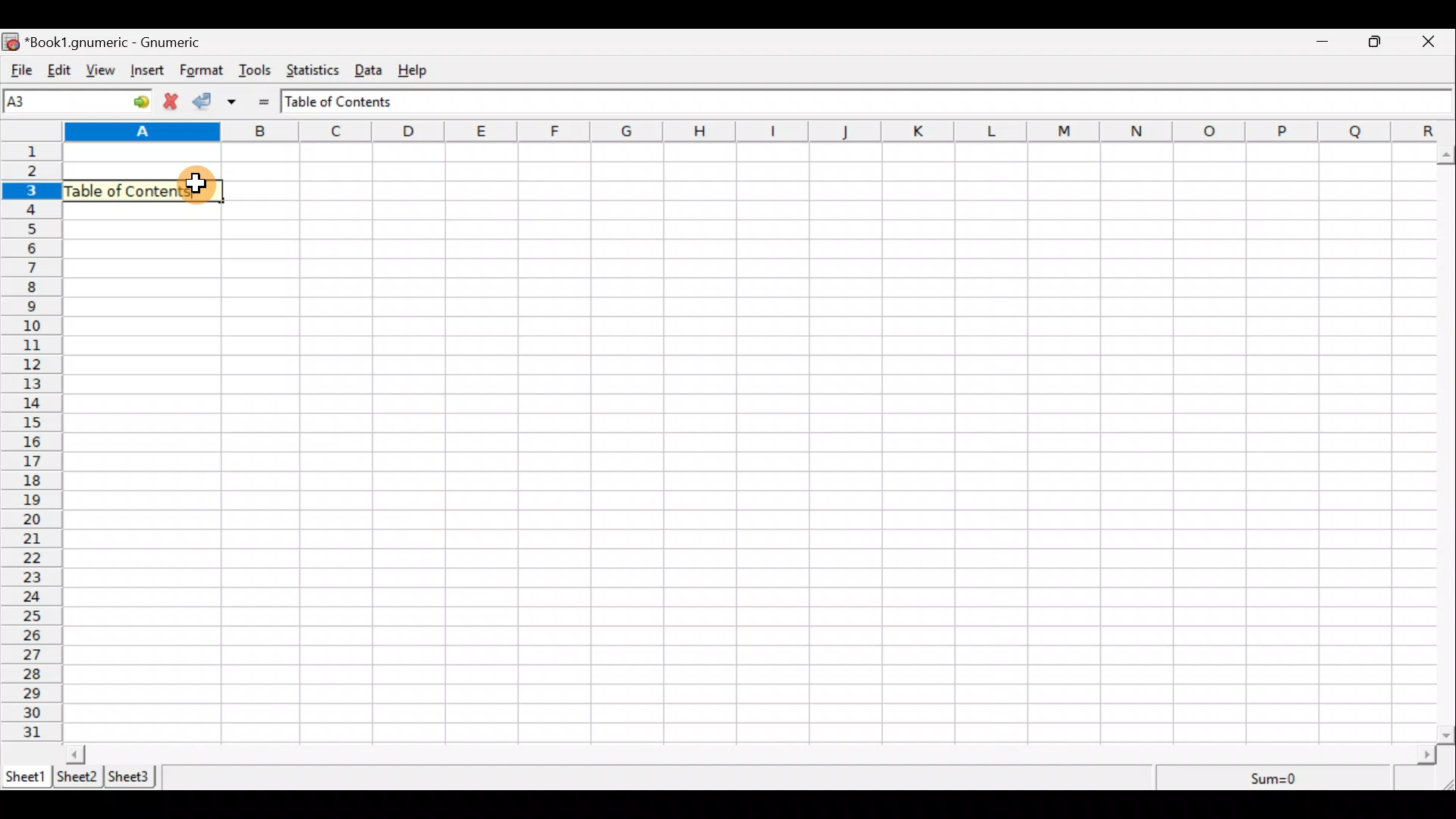  I want to click on Accept change in multiple cells, so click(237, 102).